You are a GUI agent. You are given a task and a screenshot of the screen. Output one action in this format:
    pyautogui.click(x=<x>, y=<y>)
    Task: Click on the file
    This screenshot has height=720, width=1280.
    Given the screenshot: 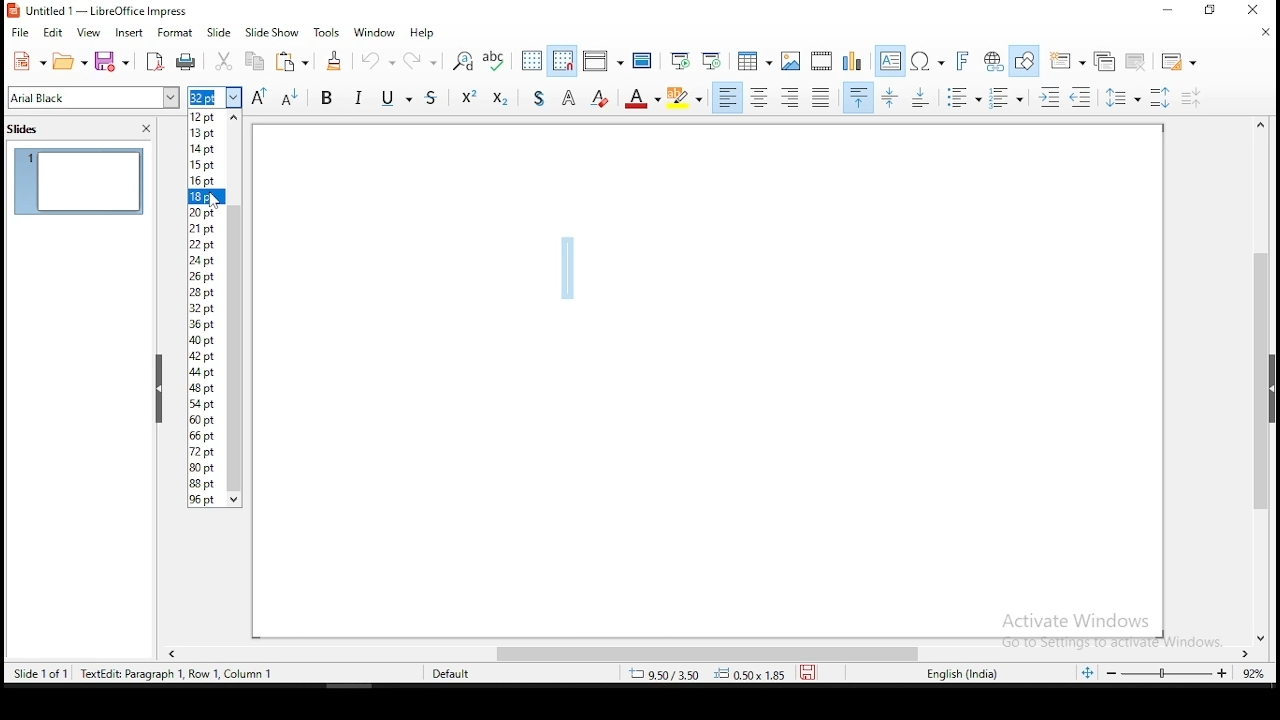 What is the action you would take?
    pyautogui.click(x=20, y=32)
    